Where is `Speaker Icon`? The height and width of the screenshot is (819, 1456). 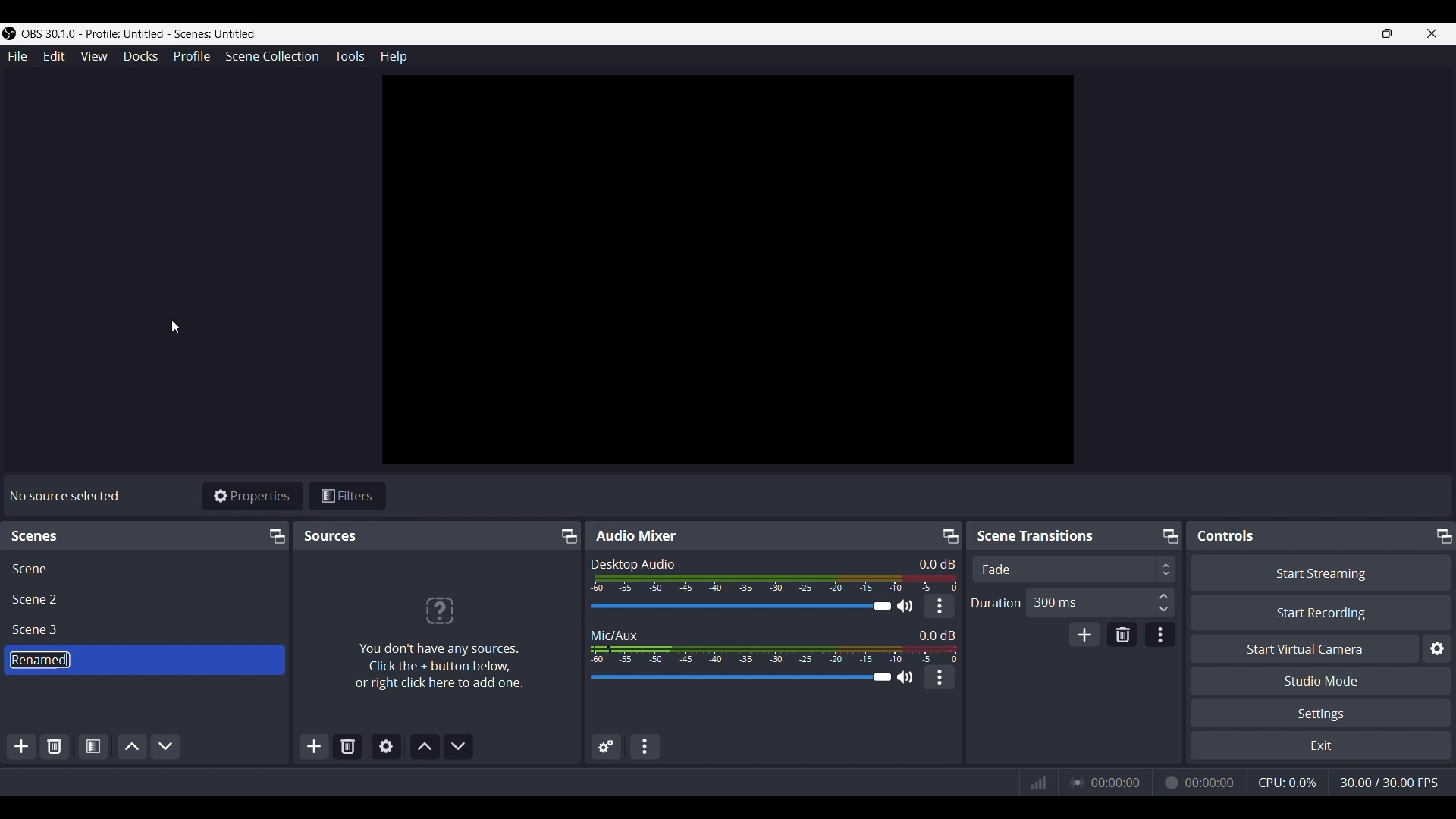
Speaker Icon is located at coordinates (905, 676).